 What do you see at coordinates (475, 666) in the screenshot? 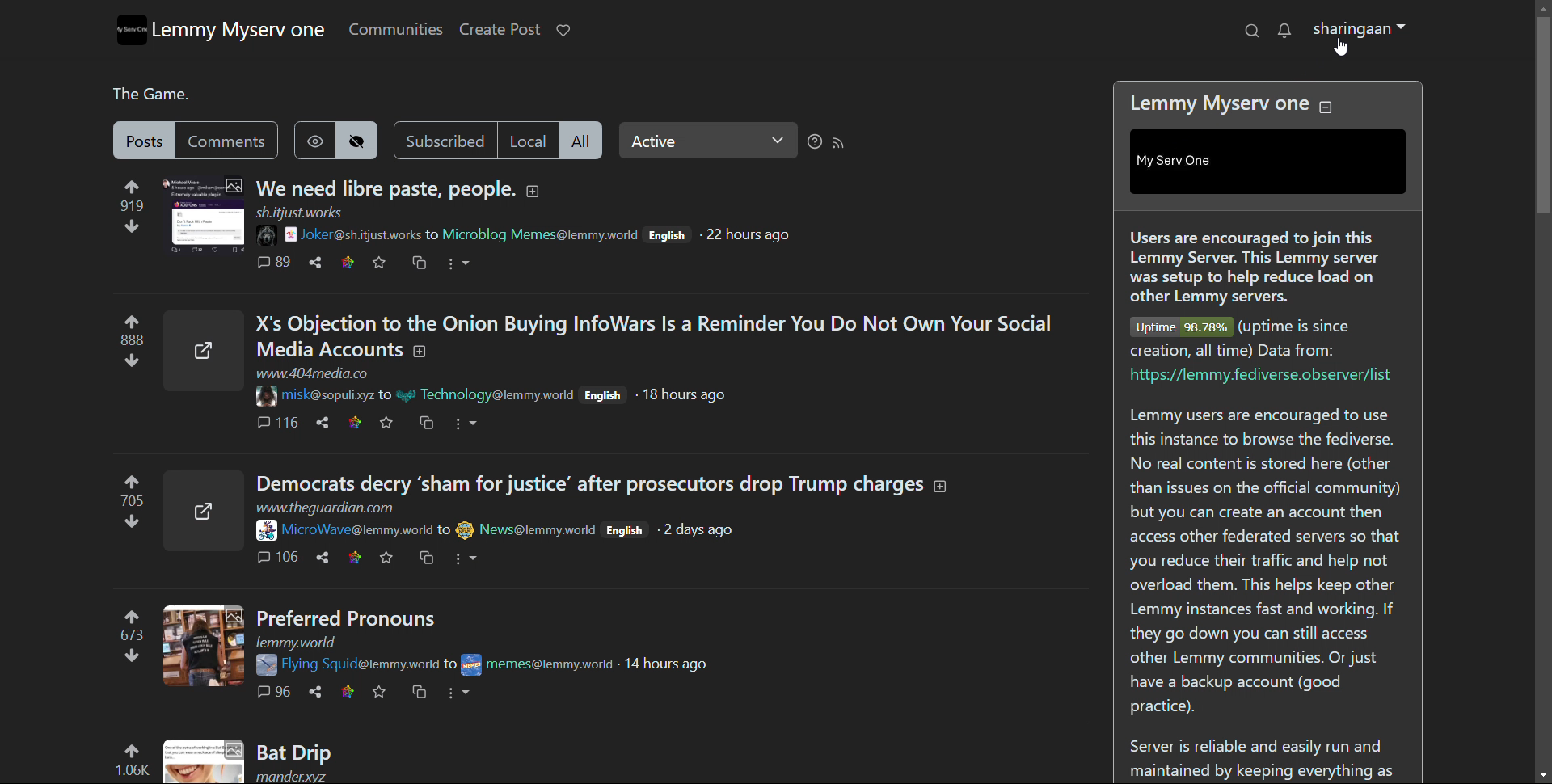
I see `poster display picture` at bounding box center [475, 666].